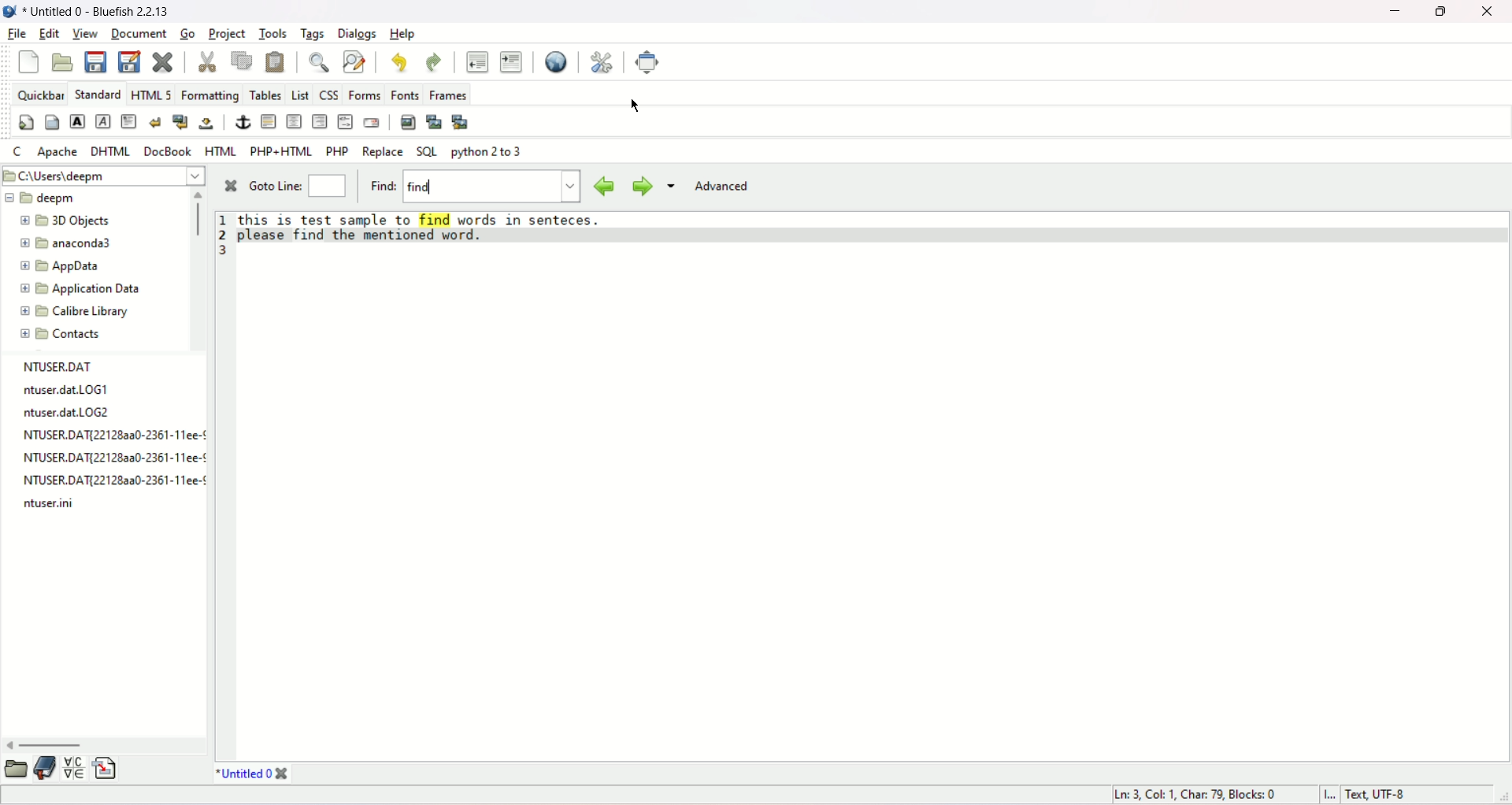 This screenshot has height=805, width=1512. Describe the element at coordinates (461, 121) in the screenshot. I see `multi thumbnail` at that location.